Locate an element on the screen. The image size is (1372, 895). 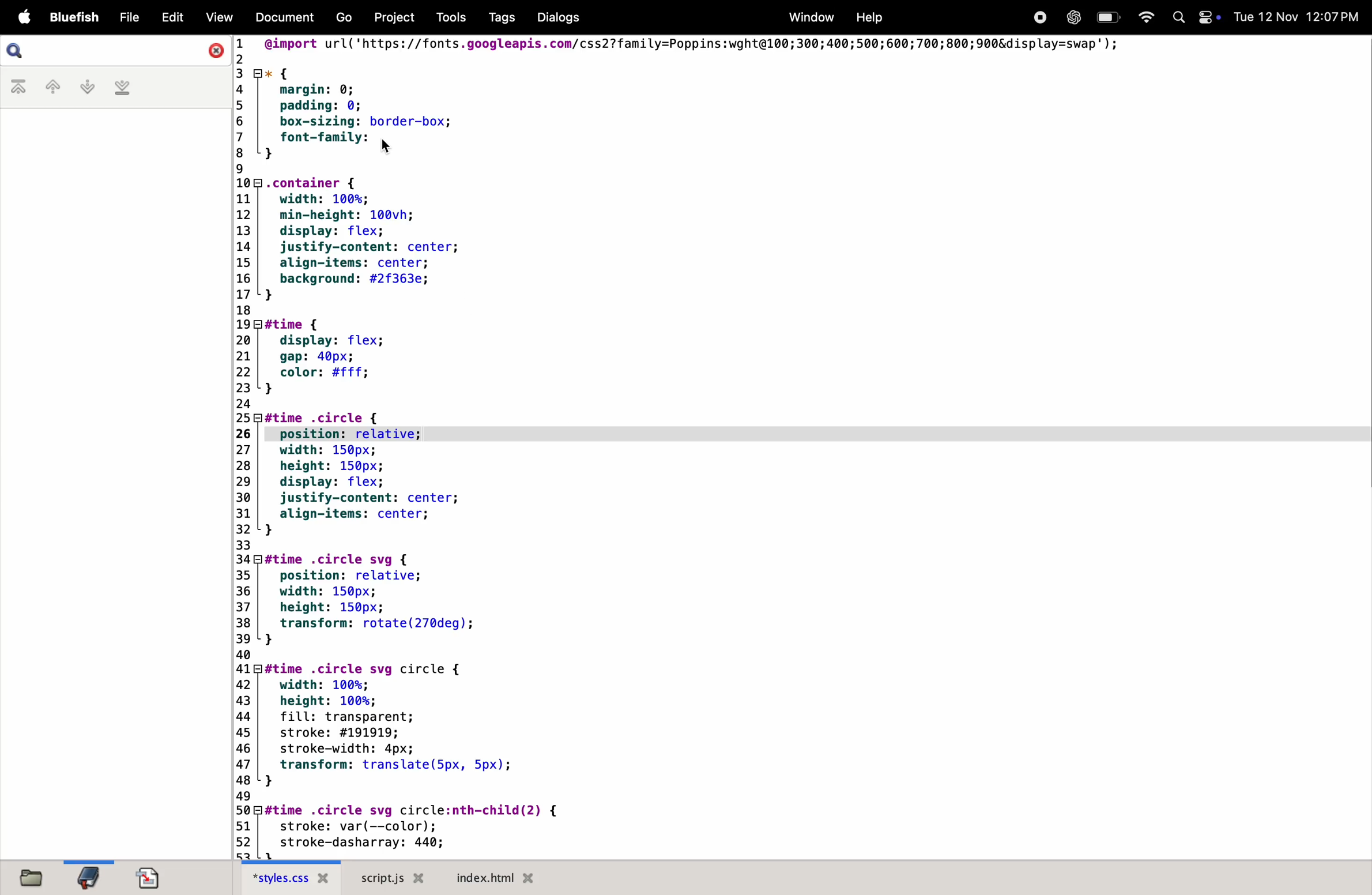
cursor is located at coordinates (387, 149).